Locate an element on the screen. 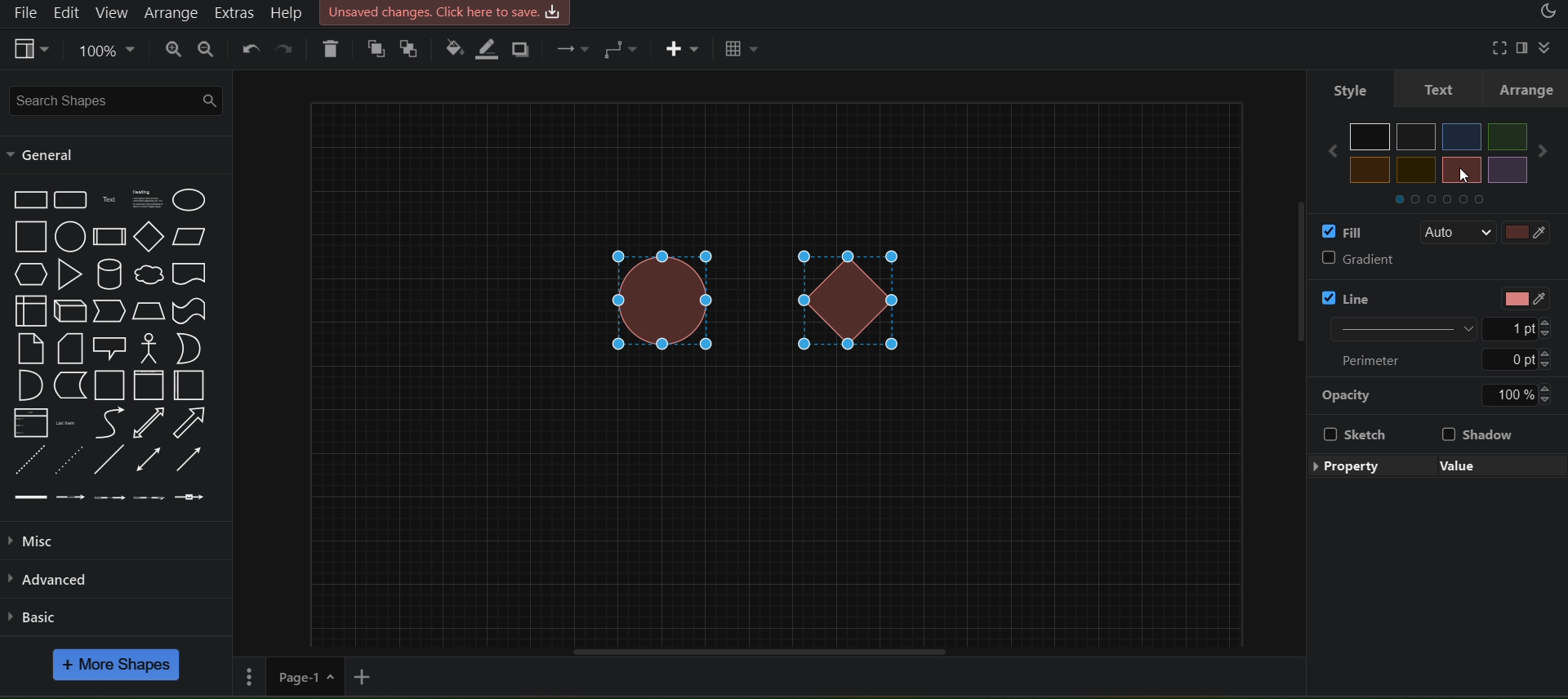 This screenshot has width=1568, height=699.  is located at coordinates (1509, 136).